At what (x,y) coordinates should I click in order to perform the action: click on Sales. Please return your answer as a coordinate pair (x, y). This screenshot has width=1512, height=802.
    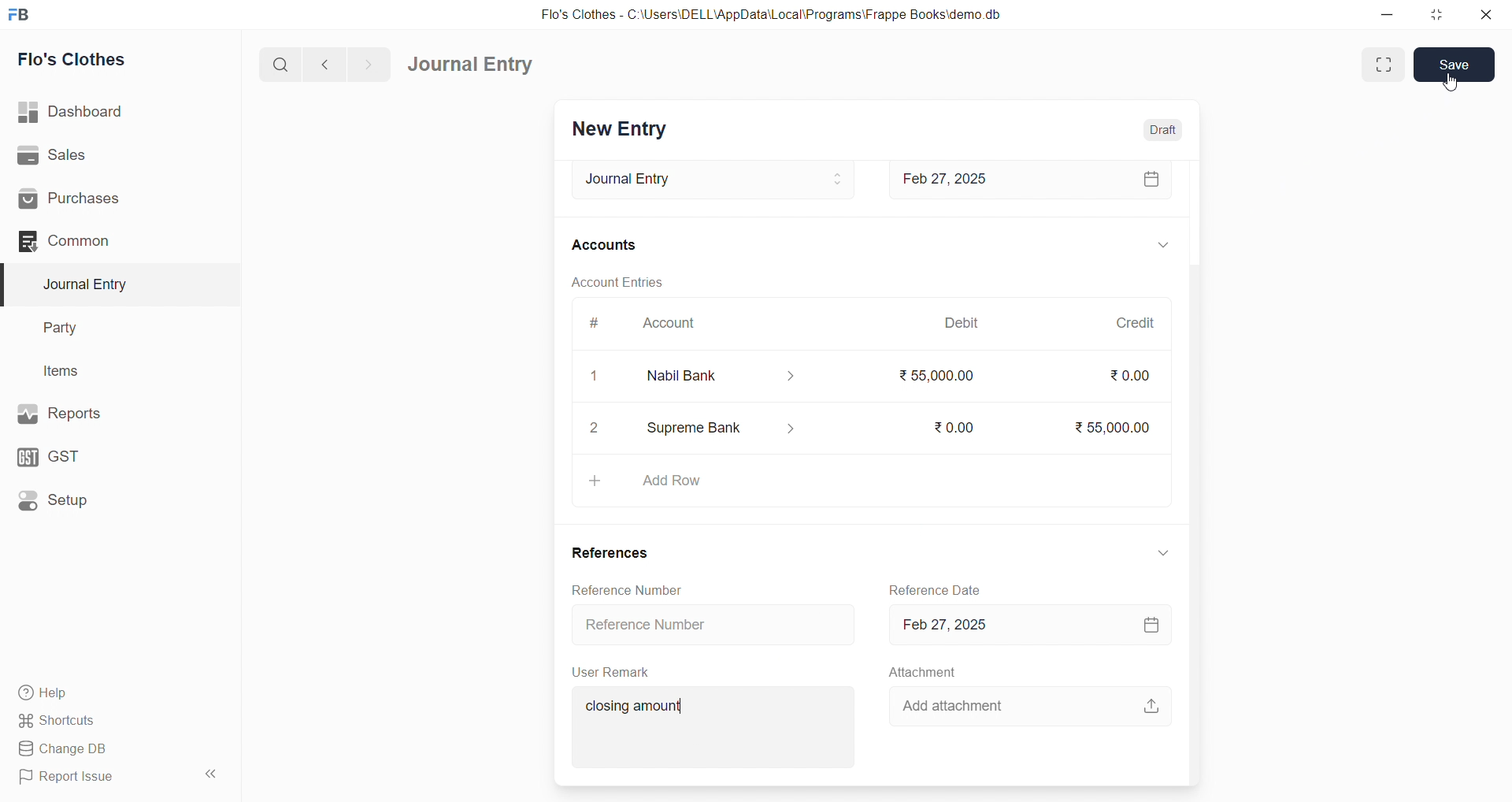
    Looking at the image, I should click on (94, 154).